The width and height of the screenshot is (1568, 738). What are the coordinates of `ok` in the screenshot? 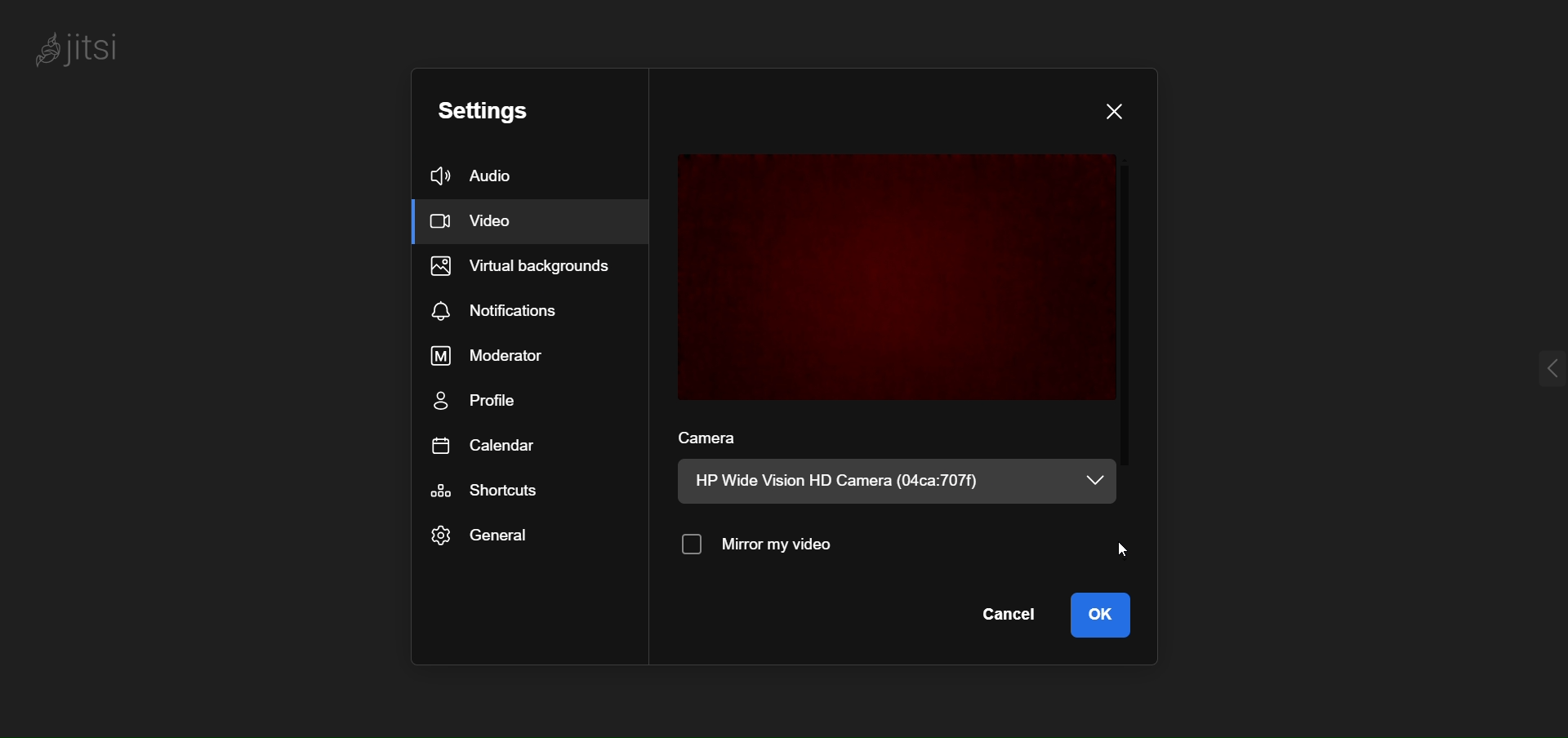 It's located at (1106, 617).